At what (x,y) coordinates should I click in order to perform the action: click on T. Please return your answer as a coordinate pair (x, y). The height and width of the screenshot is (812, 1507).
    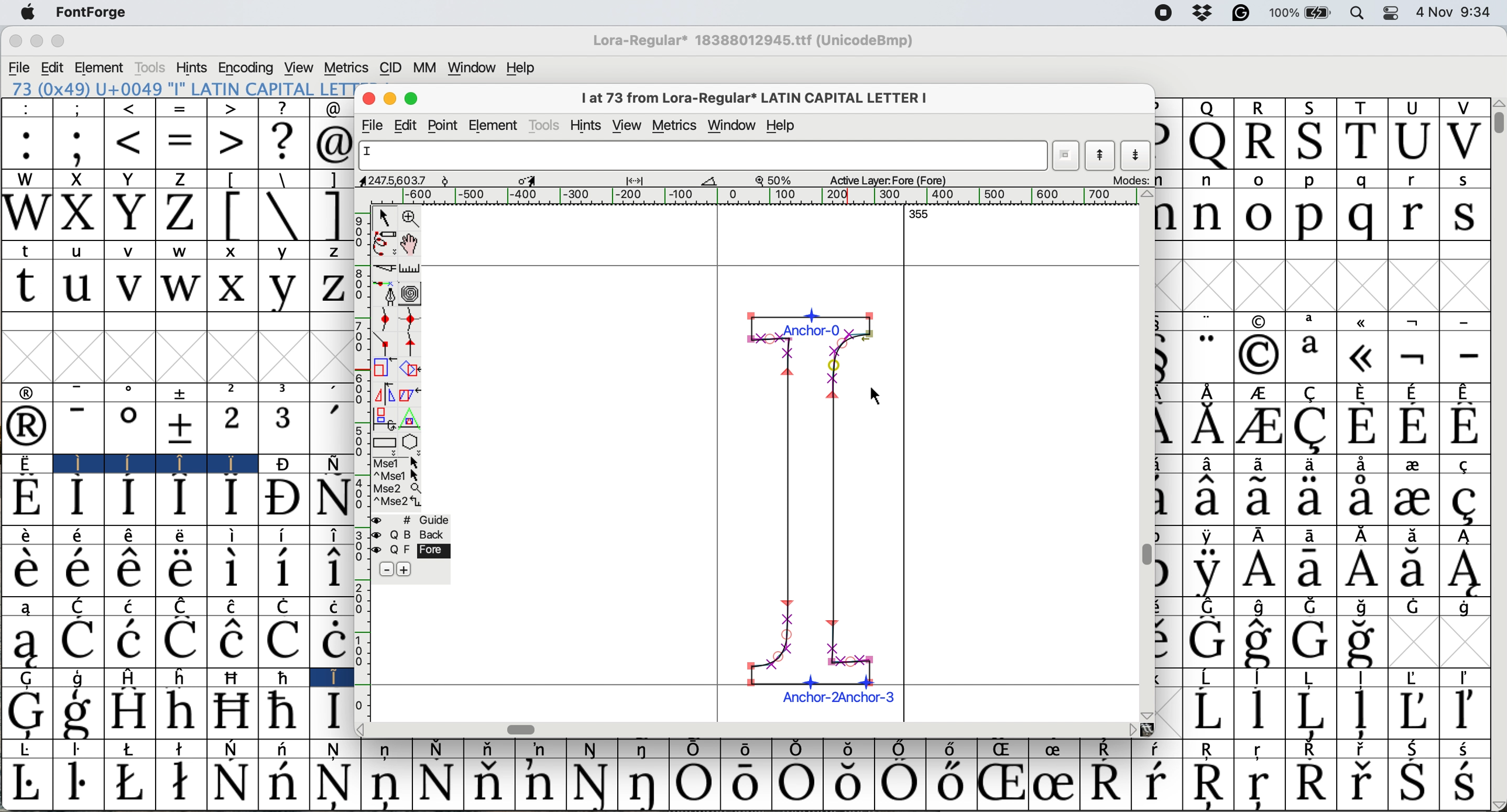
    Looking at the image, I should click on (1363, 142).